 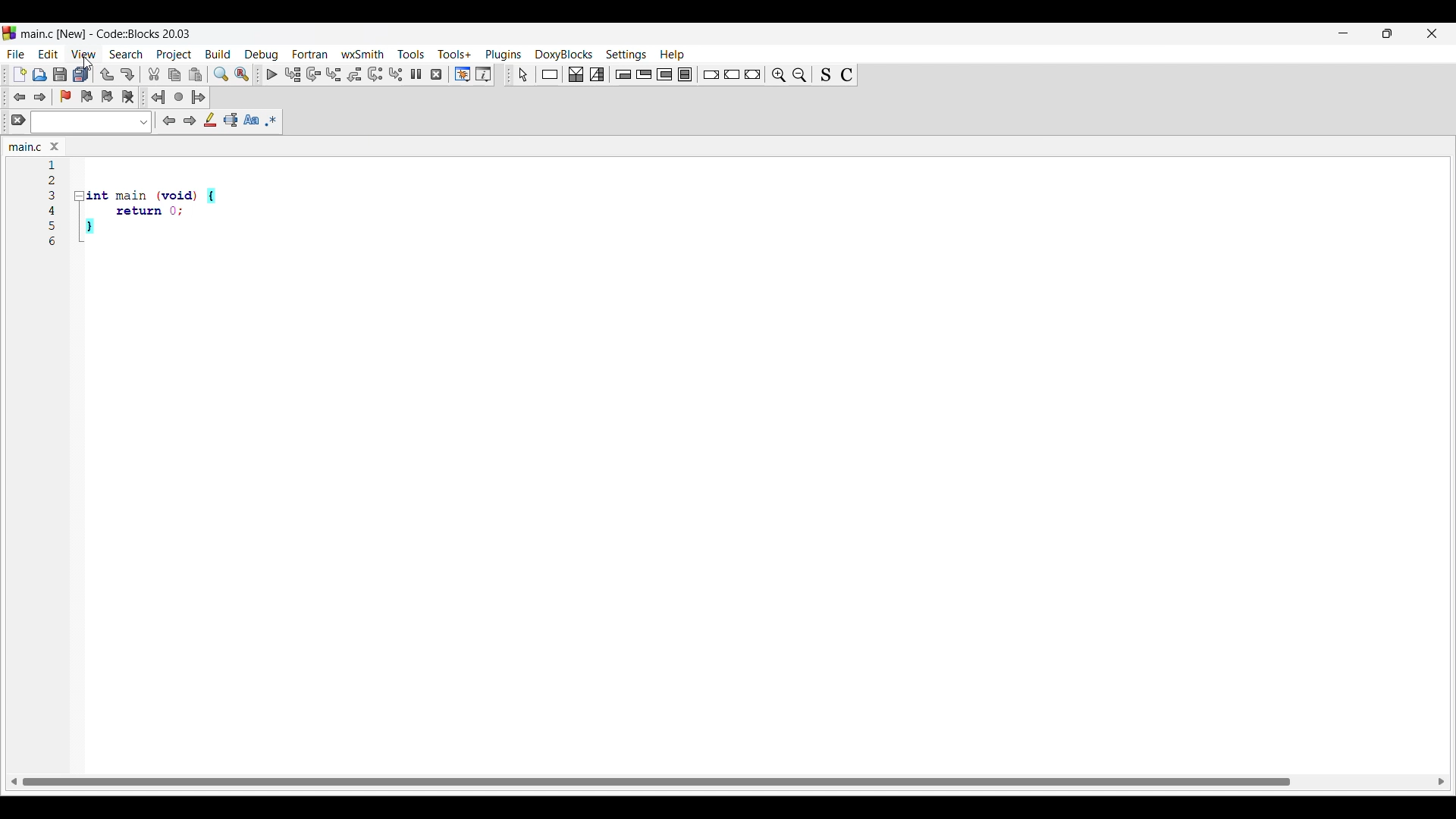 I want to click on New file, so click(x=20, y=74).